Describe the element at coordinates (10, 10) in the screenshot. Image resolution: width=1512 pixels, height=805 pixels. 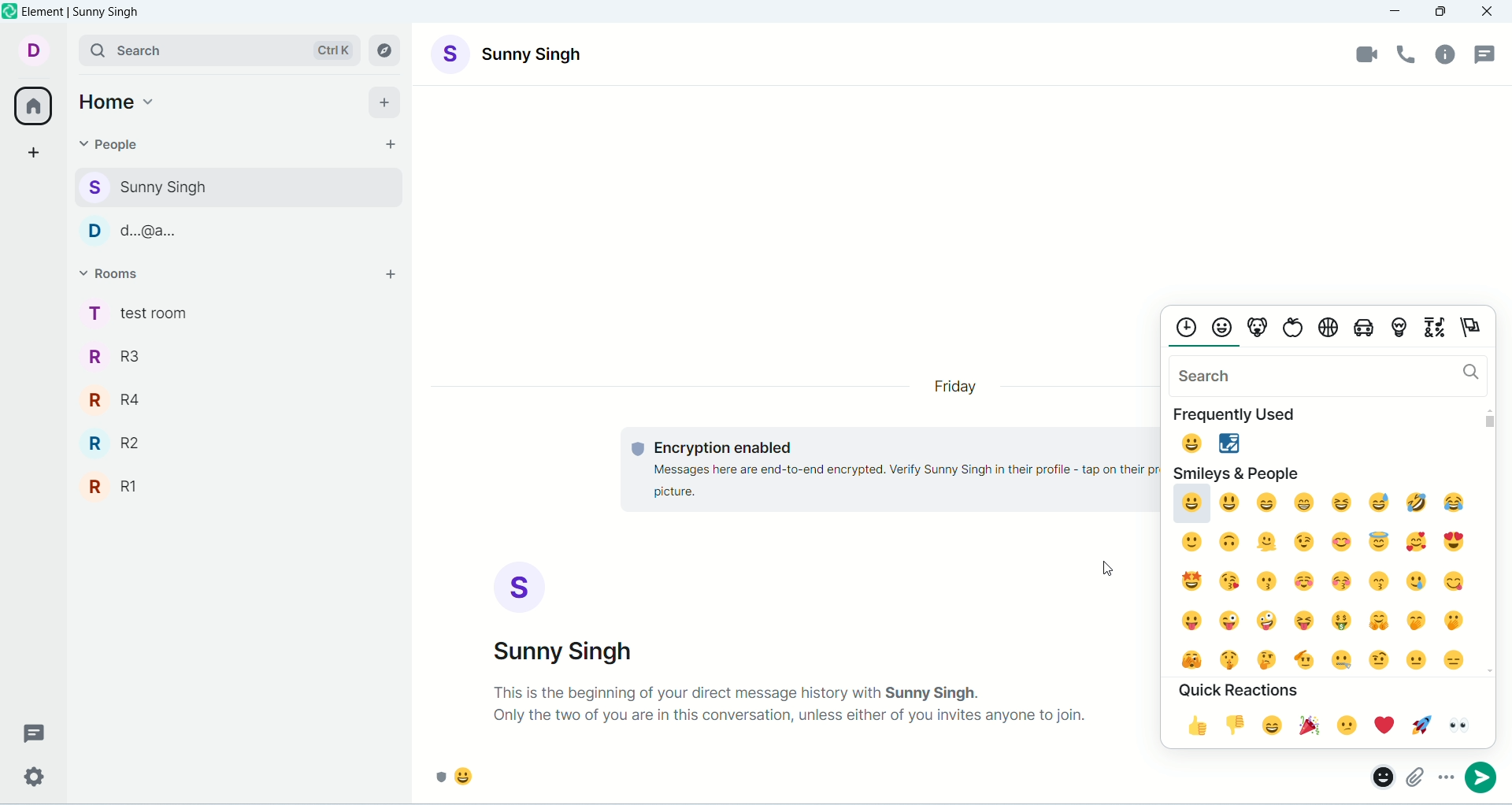
I see `logo` at that location.